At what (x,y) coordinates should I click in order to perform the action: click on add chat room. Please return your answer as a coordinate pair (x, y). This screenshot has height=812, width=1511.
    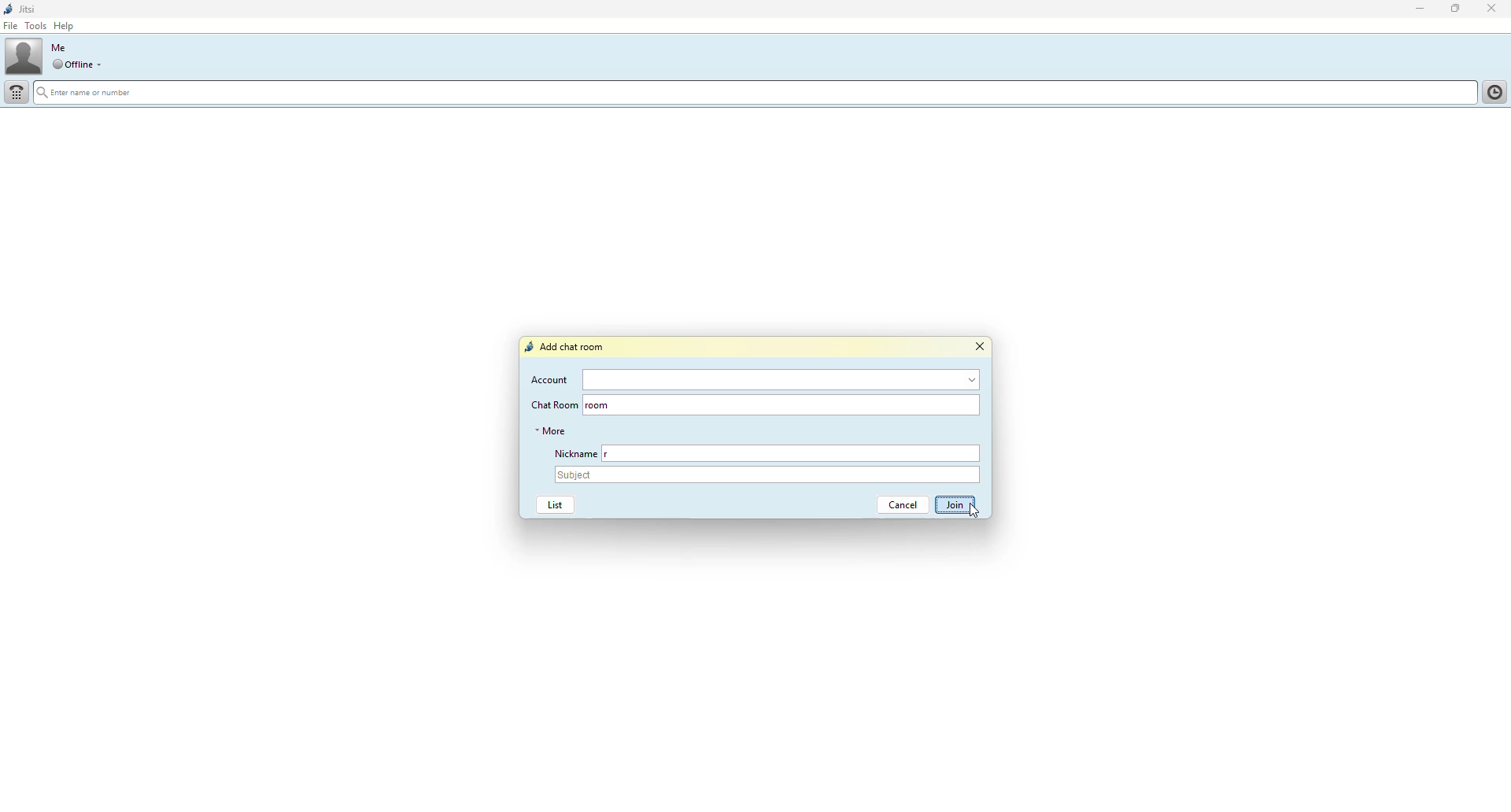
    Looking at the image, I should click on (567, 347).